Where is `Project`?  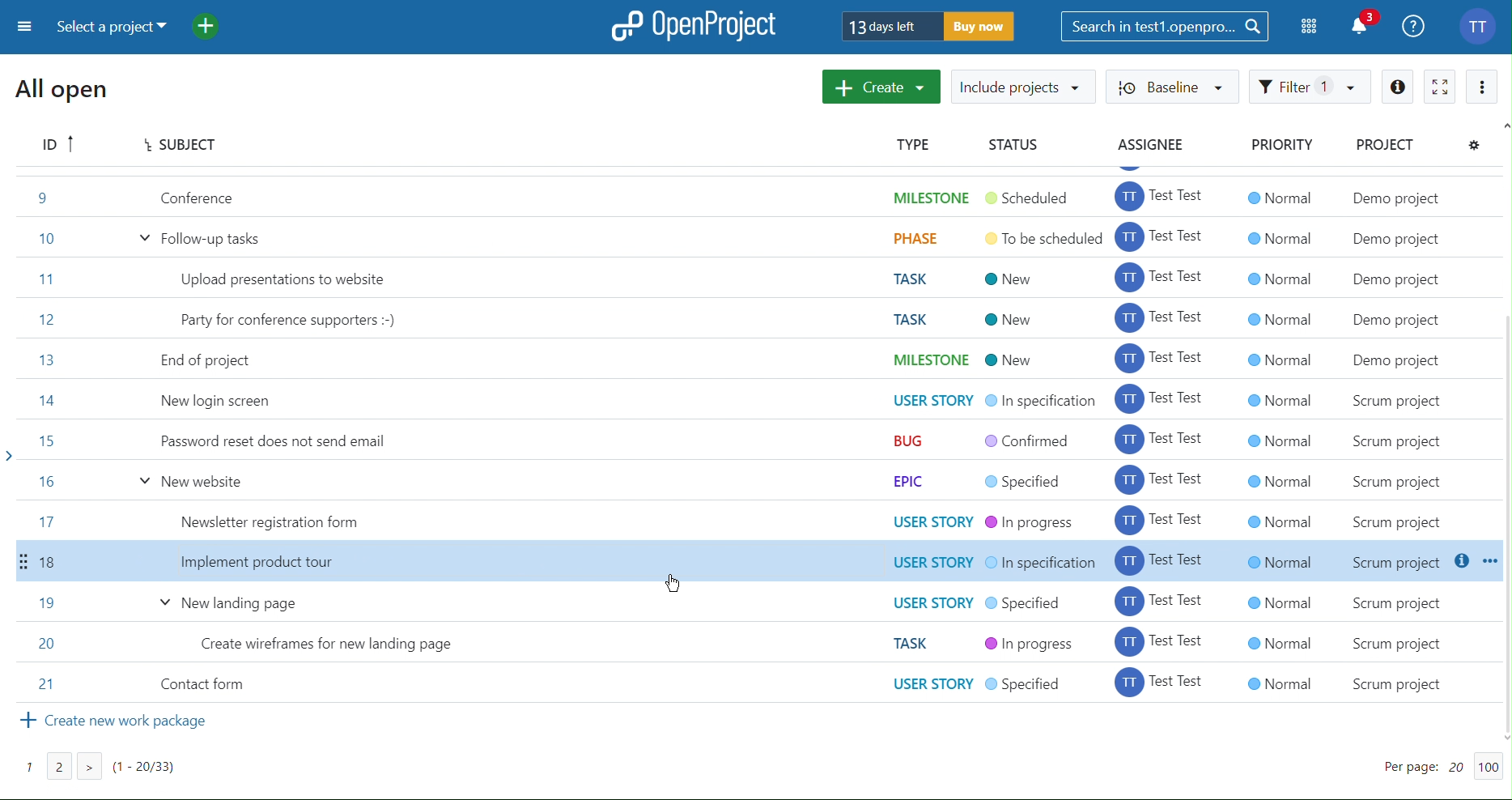 Project is located at coordinates (1387, 145).